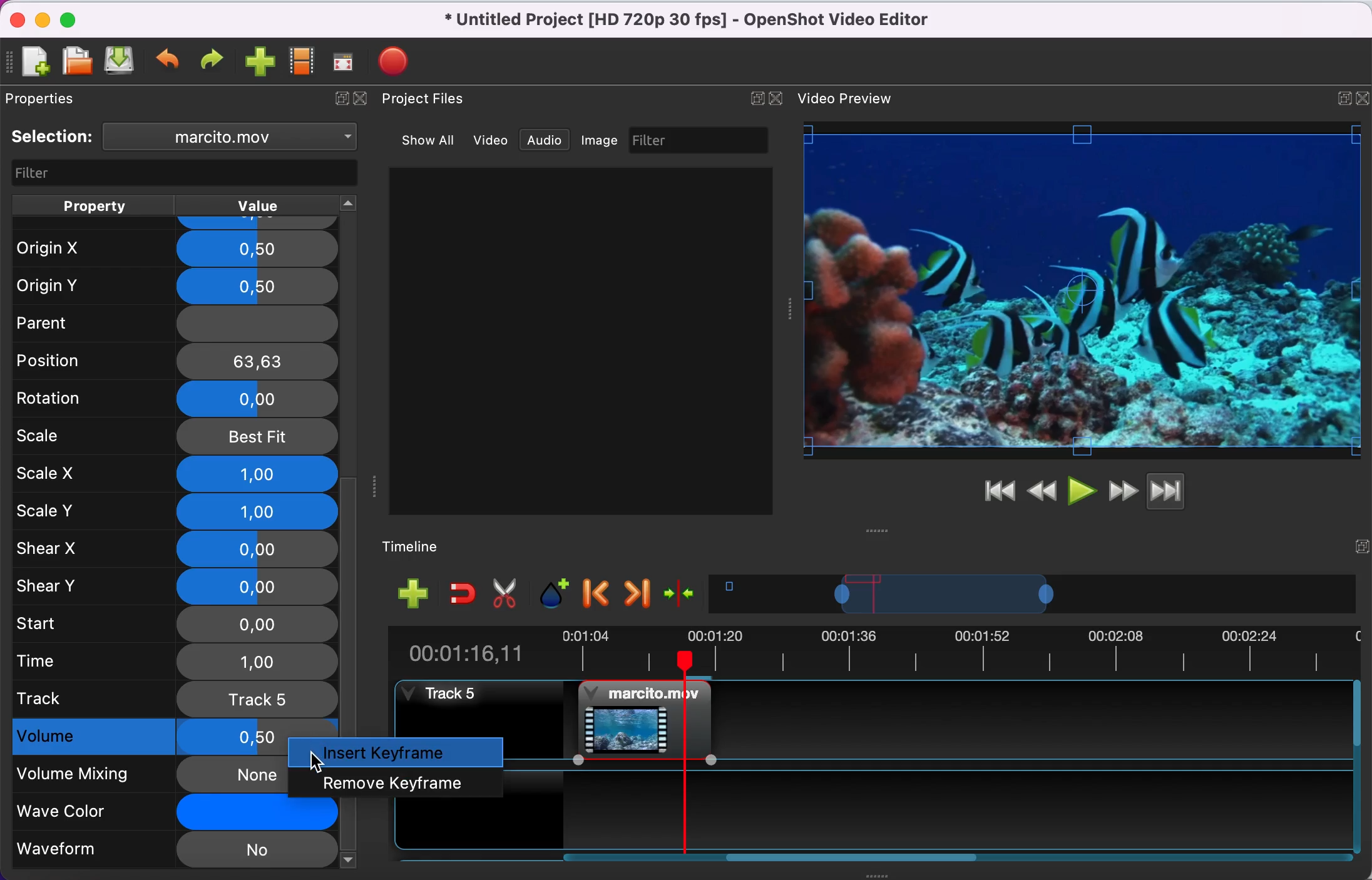  I want to click on center the timeline, so click(683, 596).